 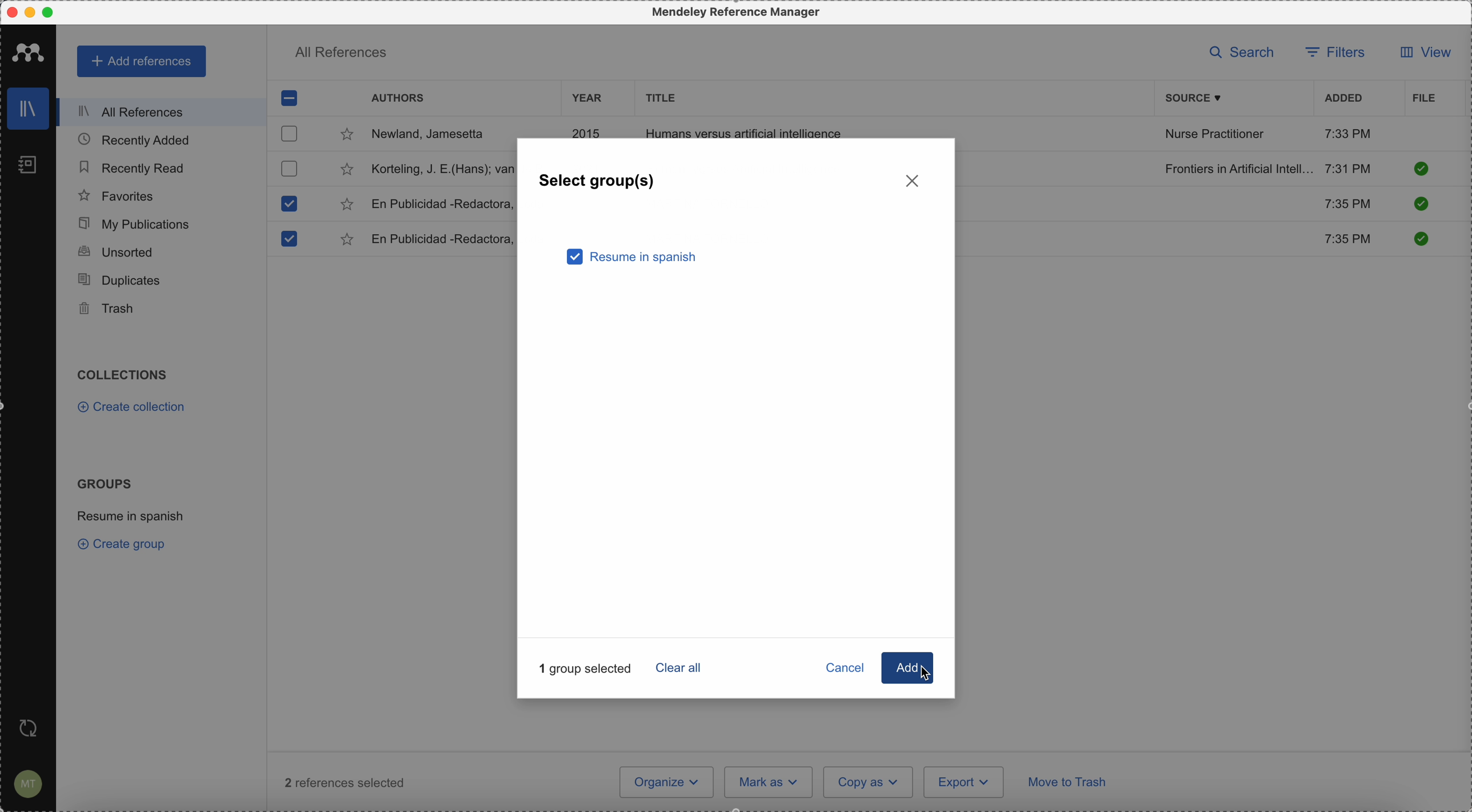 What do you see at coordinates (1202, 98) in the screenshot?
I see `source` at bounding box center [1202, 98].